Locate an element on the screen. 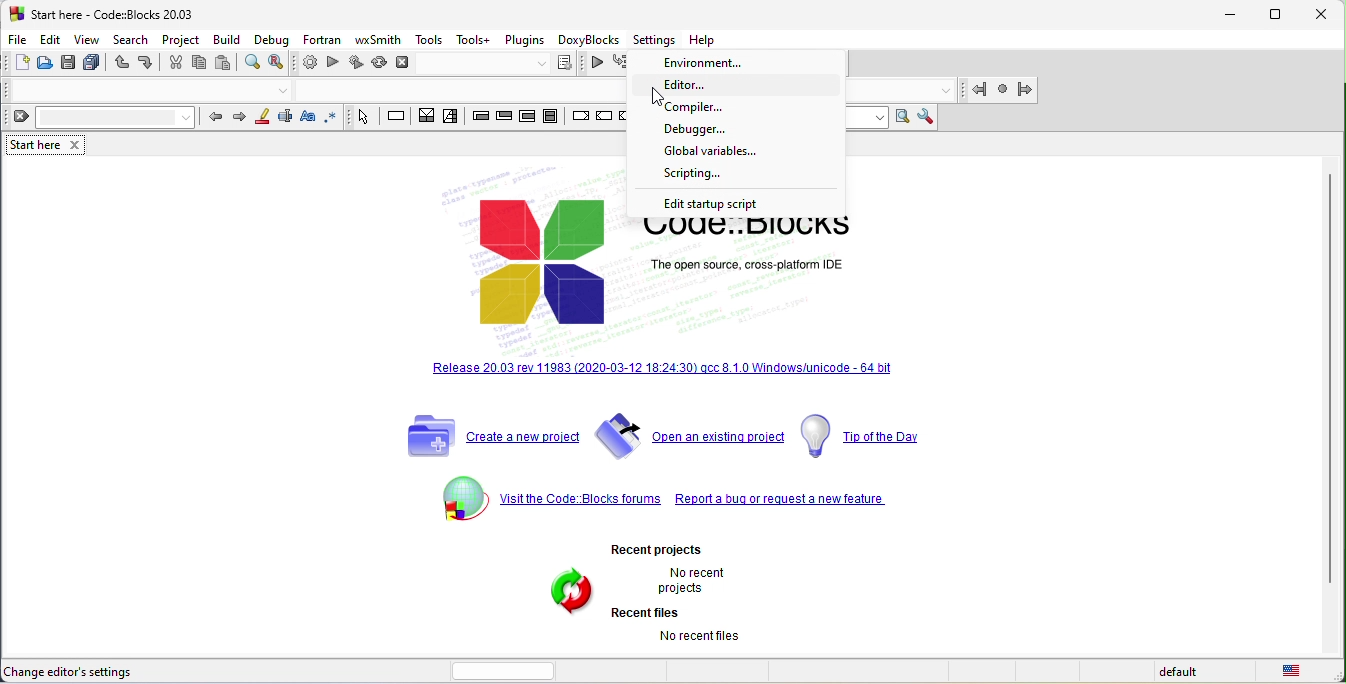 This screenshot has width=1346, height=684. tools+ is located at coordinates (473, 39).